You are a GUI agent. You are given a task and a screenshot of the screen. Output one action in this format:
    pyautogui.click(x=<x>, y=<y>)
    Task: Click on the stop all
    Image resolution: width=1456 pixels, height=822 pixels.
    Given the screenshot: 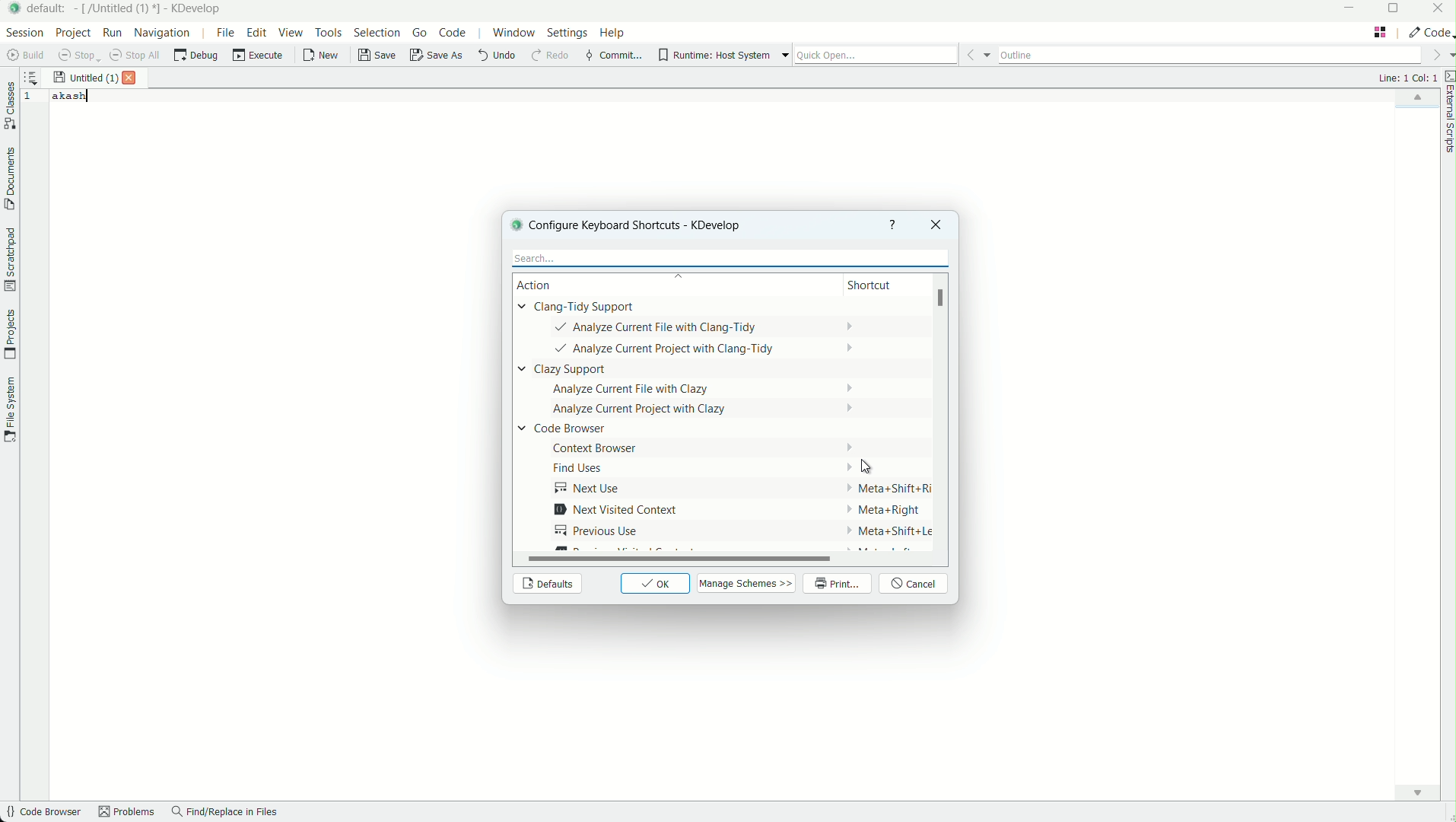 What is the action you would take?
    pyautogui.click(x=137, y=56)
    